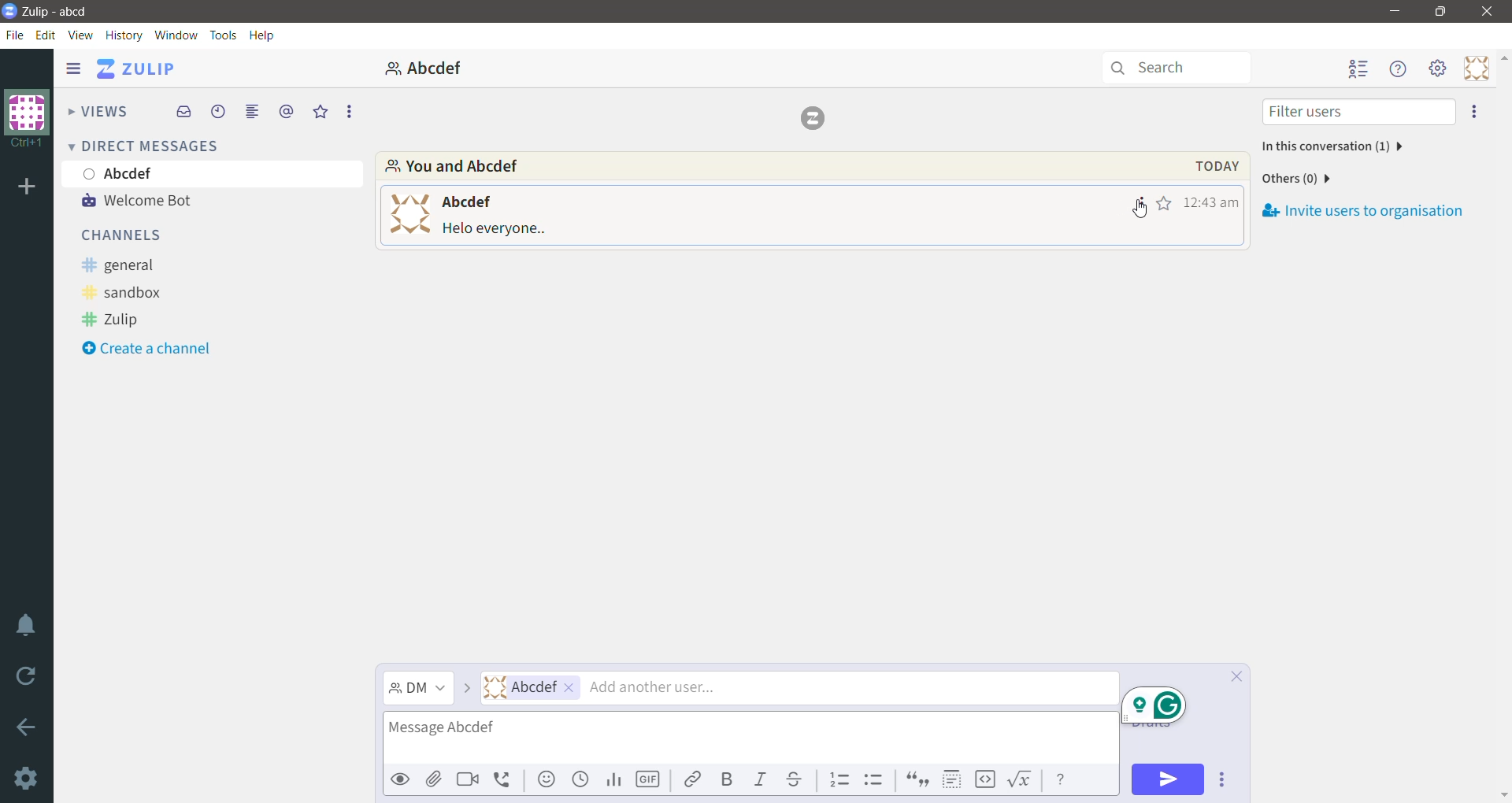 This screenshot has height=803, width=1512. I want to click on Starred Messages, so click(317, 112).